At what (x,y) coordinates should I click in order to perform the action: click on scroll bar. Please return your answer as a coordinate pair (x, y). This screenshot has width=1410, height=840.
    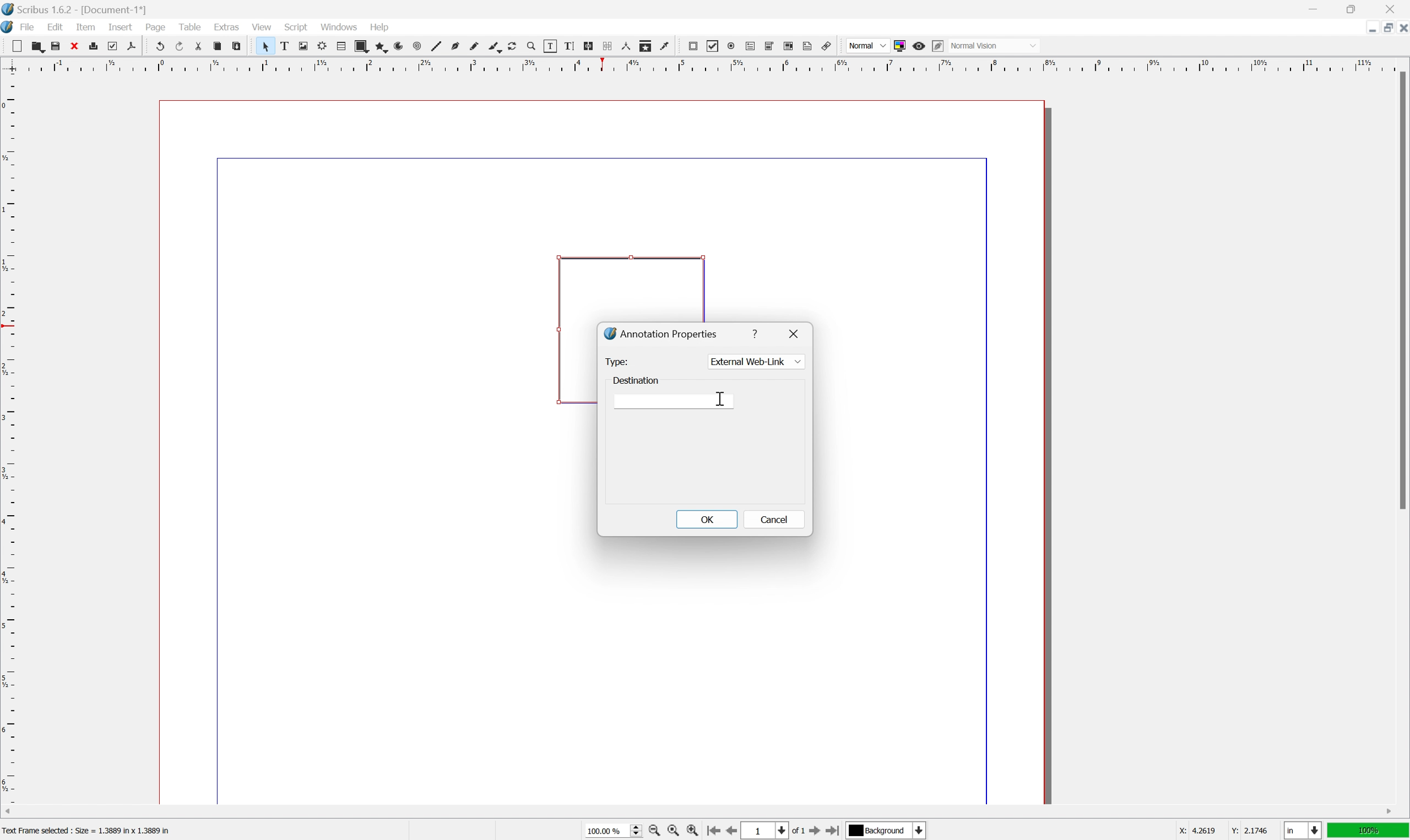
    Looking at the image, I should click on (699, 812).